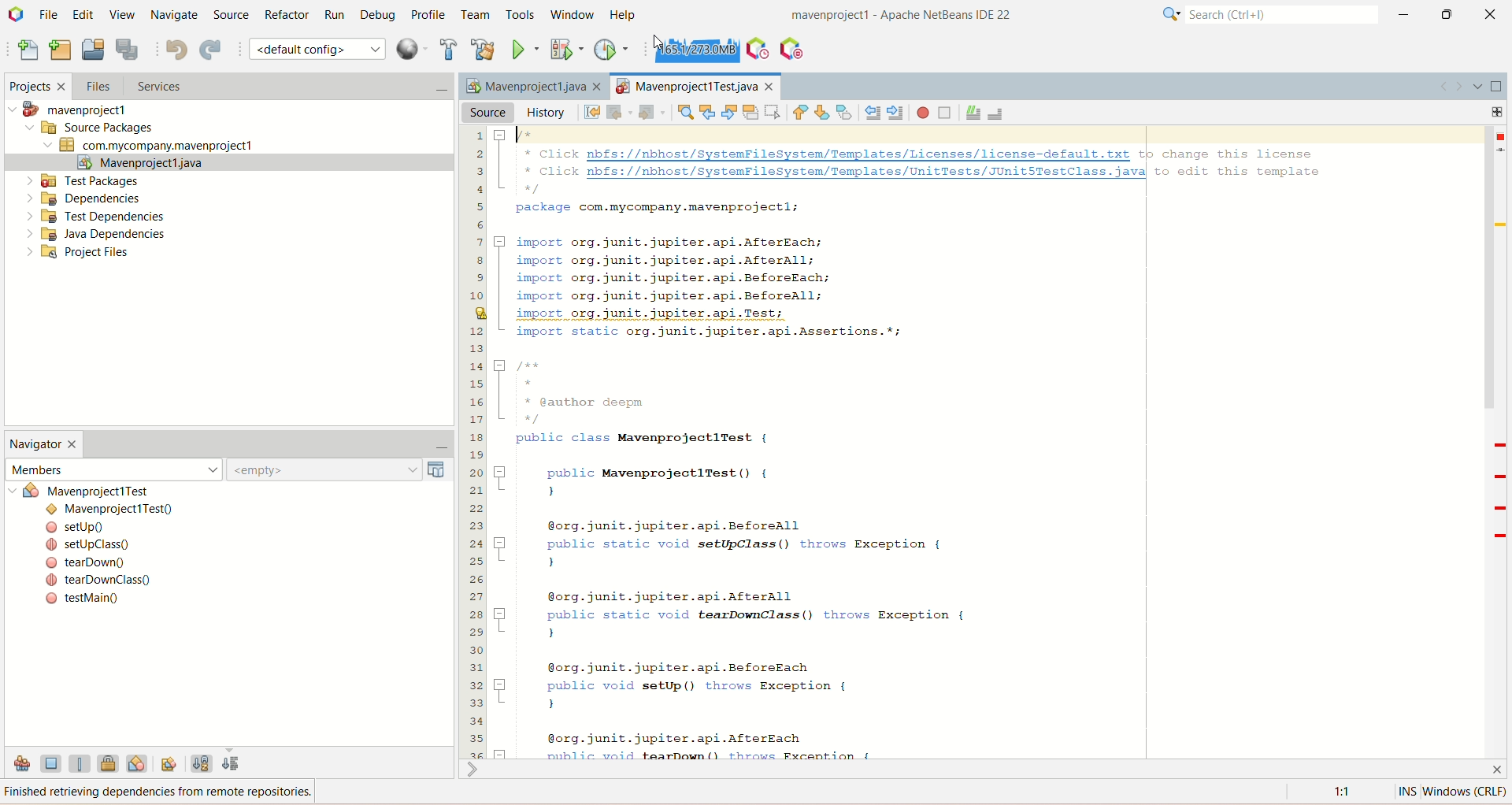 The height and width of the screenshot is (805, 1512). I want to click on search(ctrl+e), so click(1262, 15).